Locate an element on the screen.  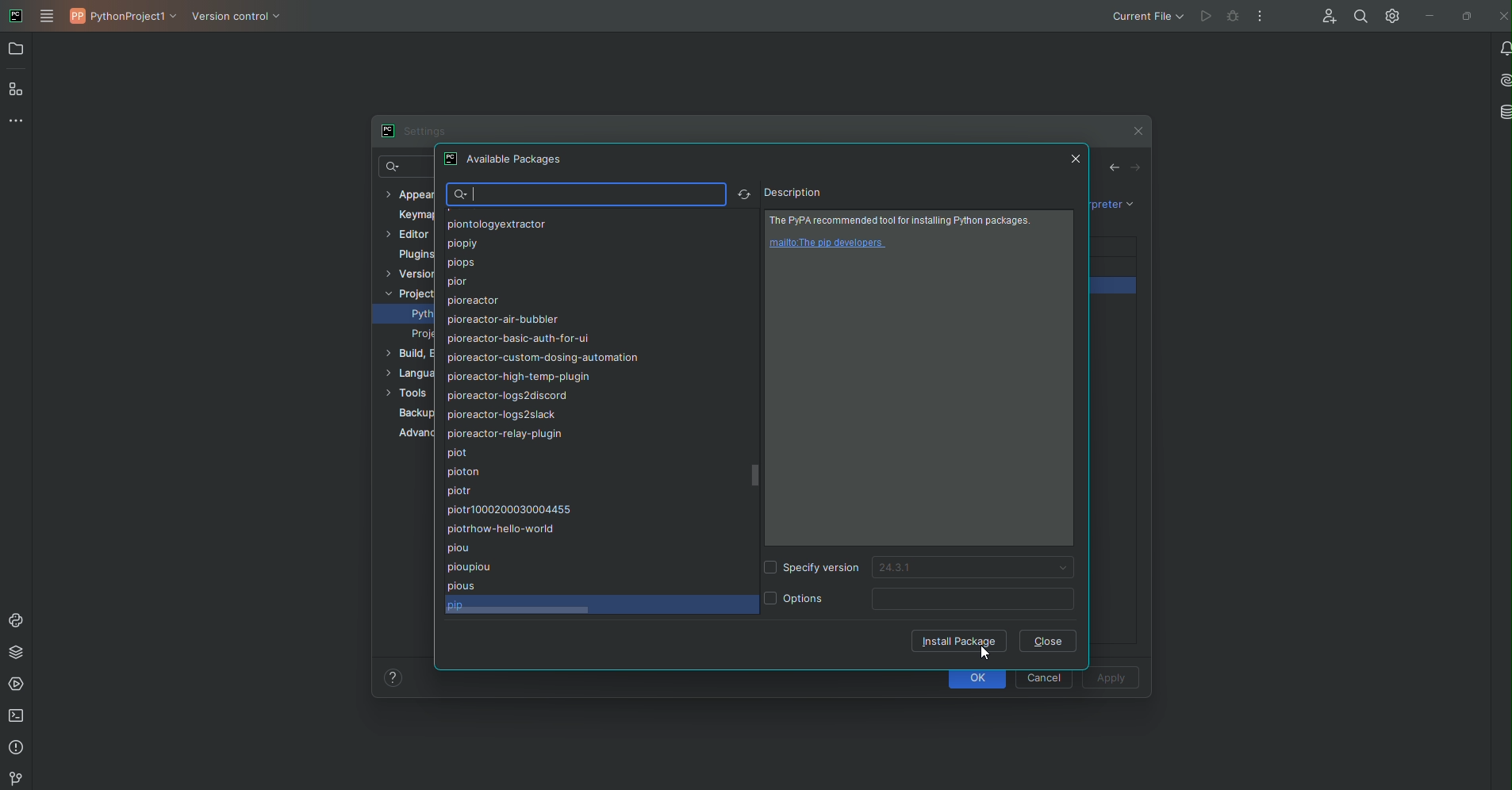
Specify version is located at coordinates (812, 566).